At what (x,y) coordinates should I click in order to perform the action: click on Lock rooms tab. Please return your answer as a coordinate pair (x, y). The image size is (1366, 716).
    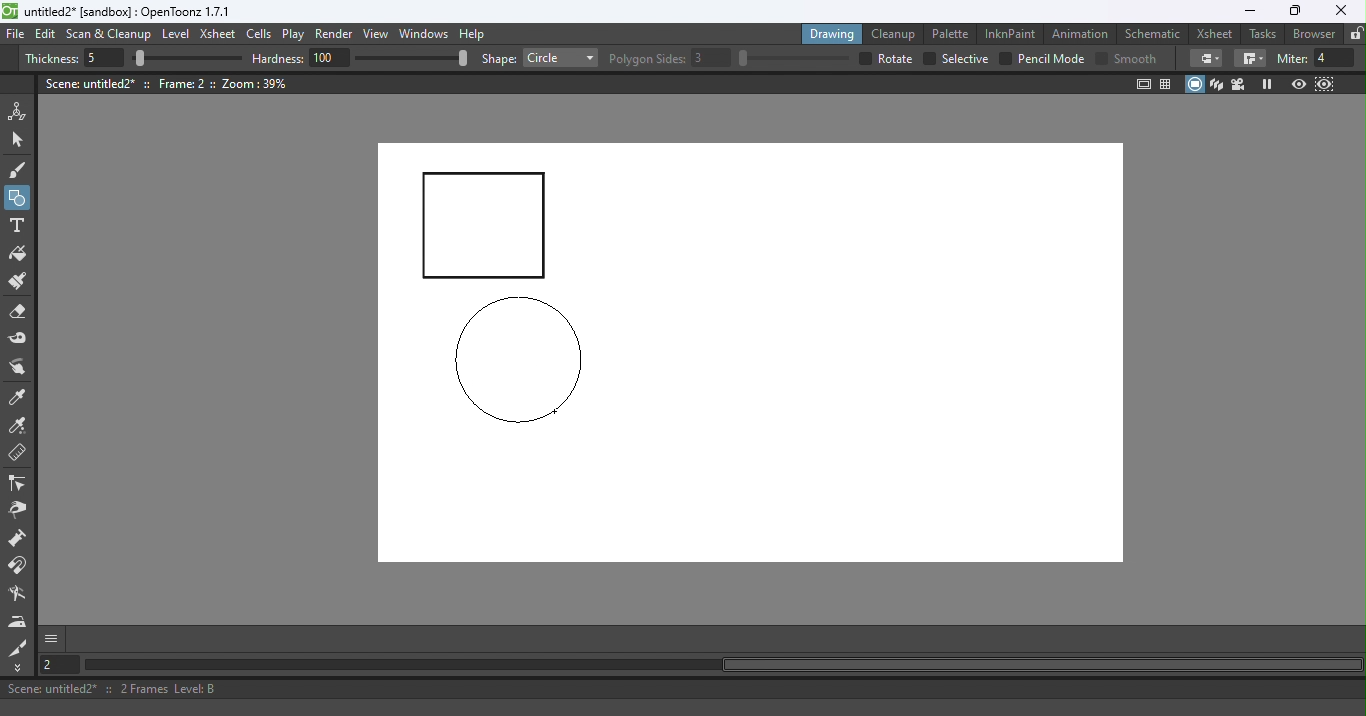
    Looking at the image, I should click on (1356, 35).